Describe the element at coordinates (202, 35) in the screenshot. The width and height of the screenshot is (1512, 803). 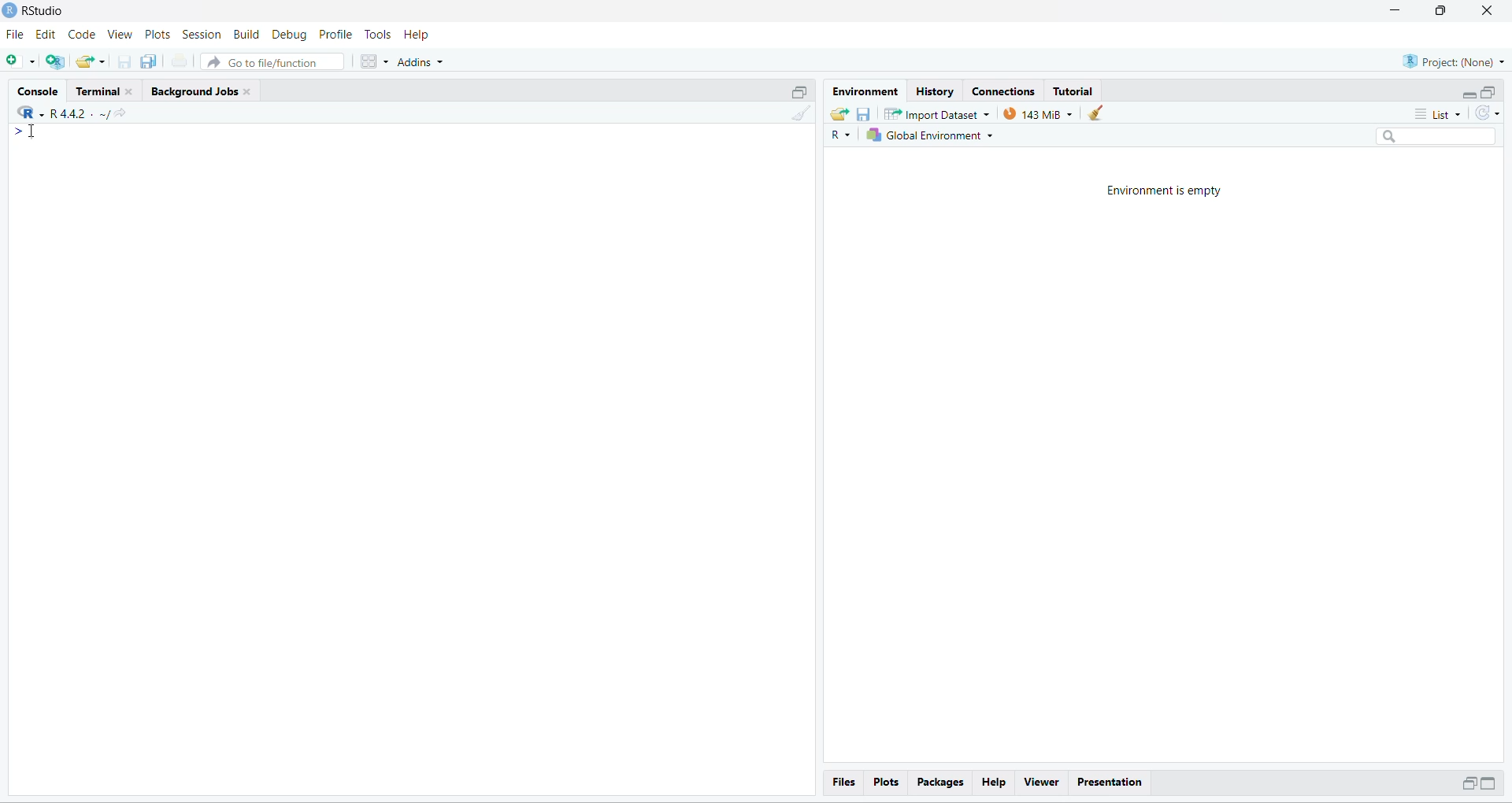
I see `session` at that location.